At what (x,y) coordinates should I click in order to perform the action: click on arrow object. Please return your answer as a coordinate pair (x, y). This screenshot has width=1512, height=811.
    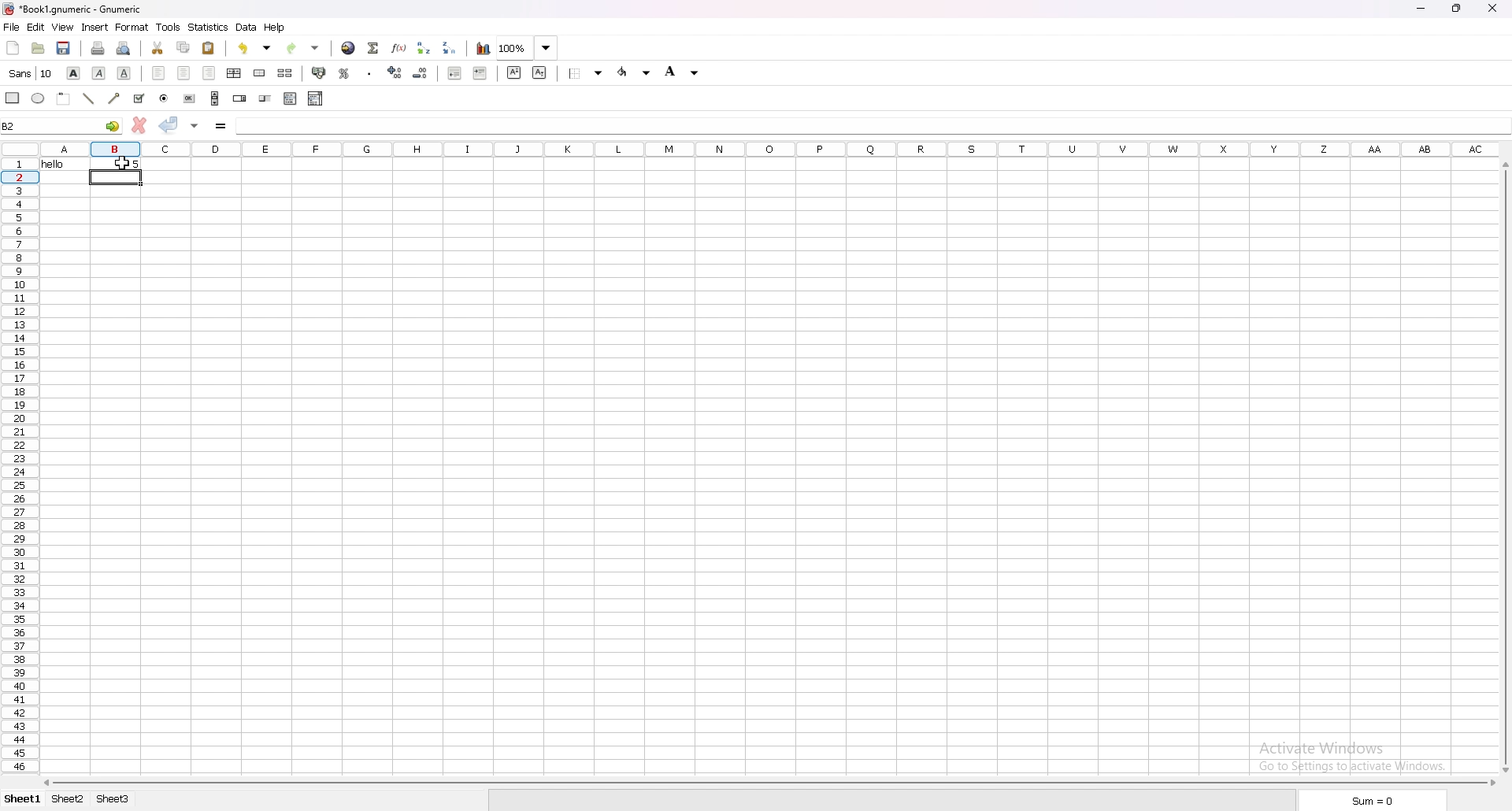
    Looking at the image, I should click on (114, 98).